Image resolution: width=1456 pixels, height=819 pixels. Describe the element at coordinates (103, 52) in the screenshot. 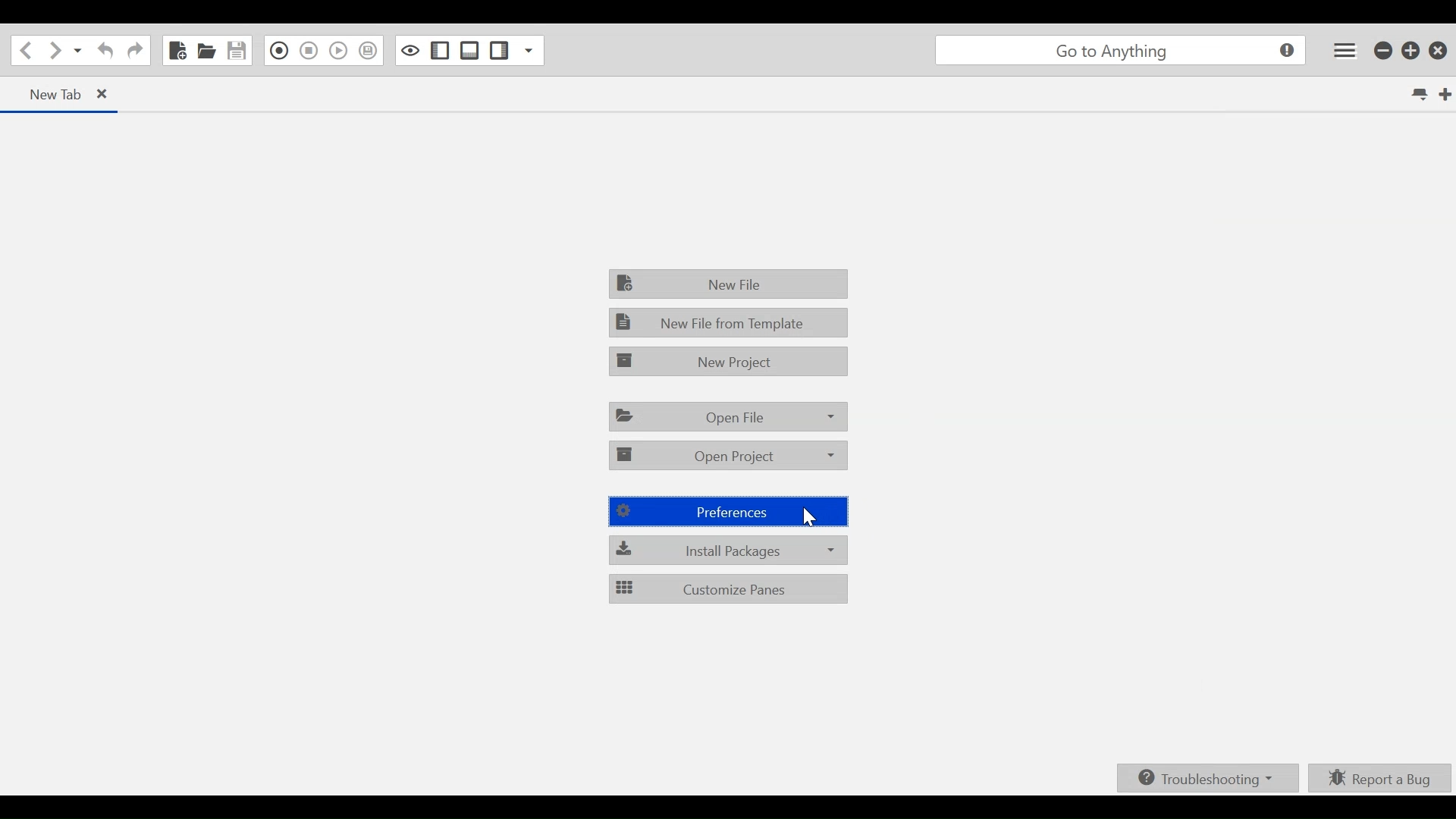

I see `Undo last action` at that location.